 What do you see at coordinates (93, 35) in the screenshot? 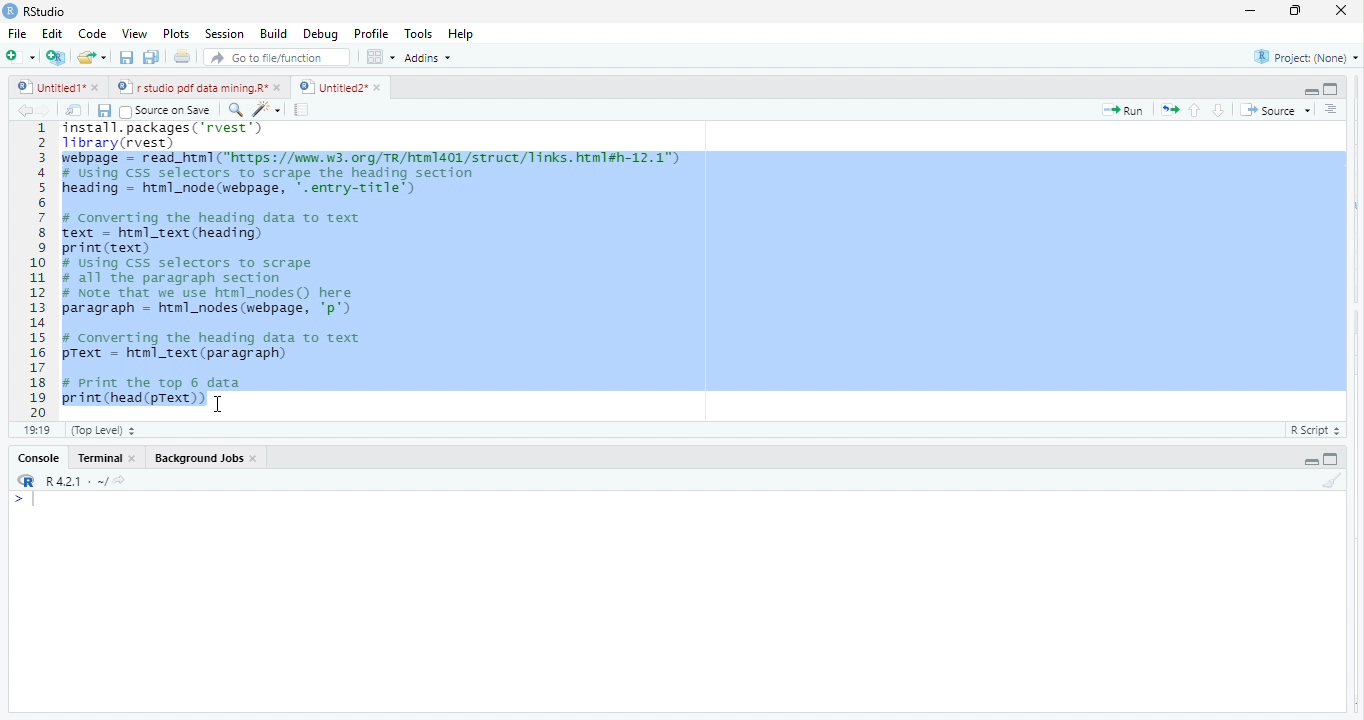
I see `code` at bounding box center [93, 35].